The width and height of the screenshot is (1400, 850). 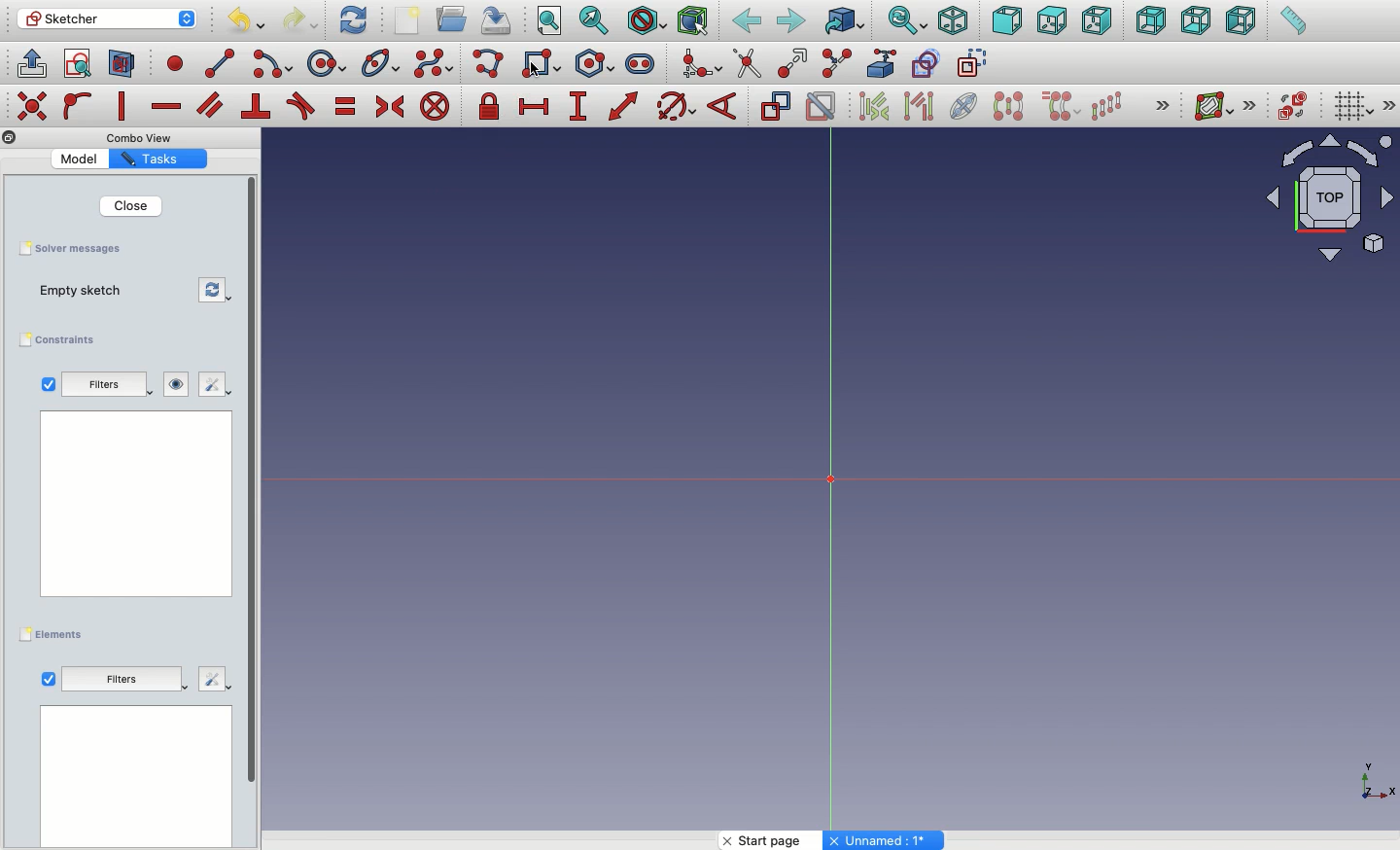 I want to click on Create fillet, so click(x=700, y=65).